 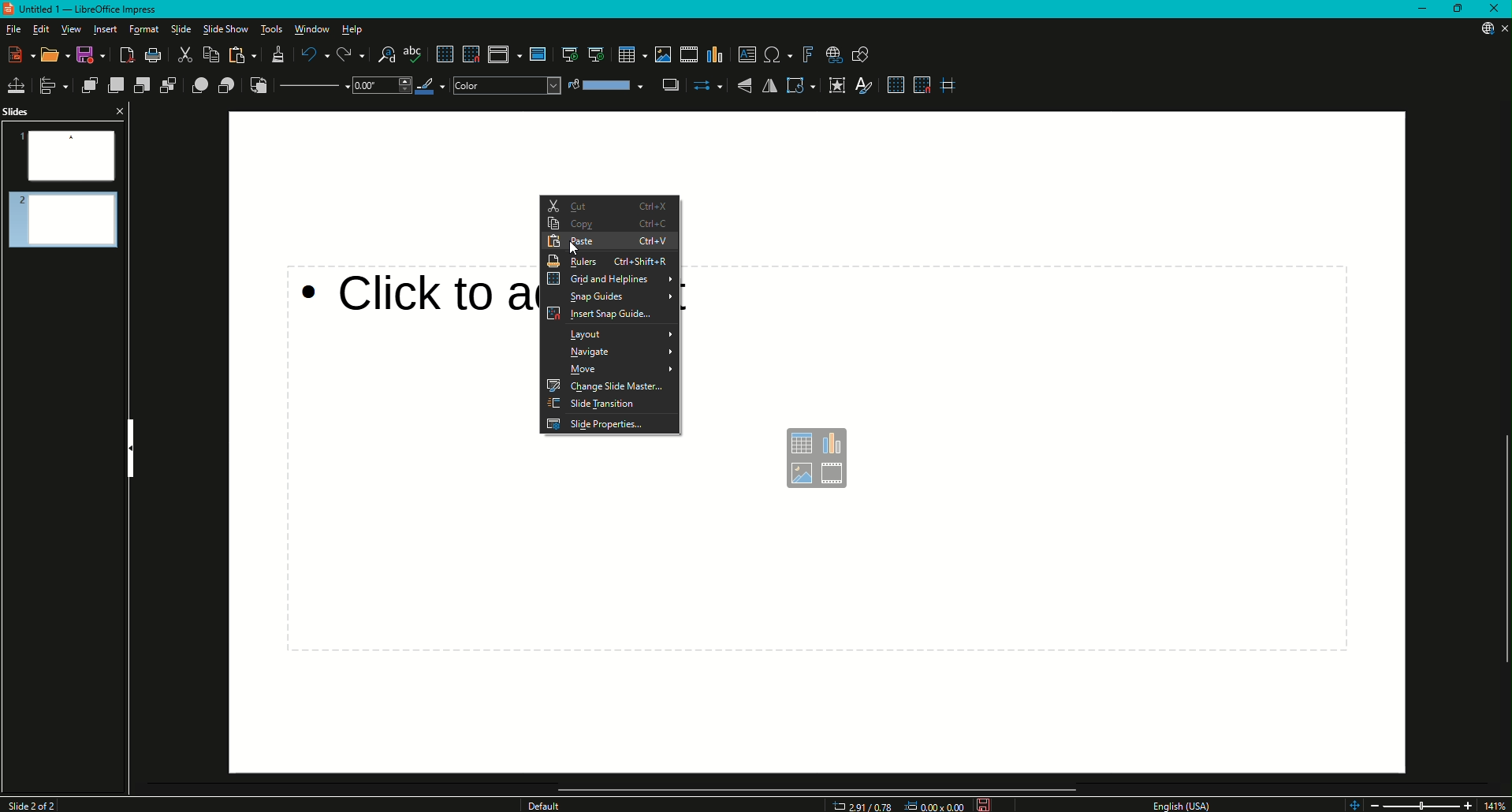 I want to click on In Front of Object, so click(x=197, y=85).